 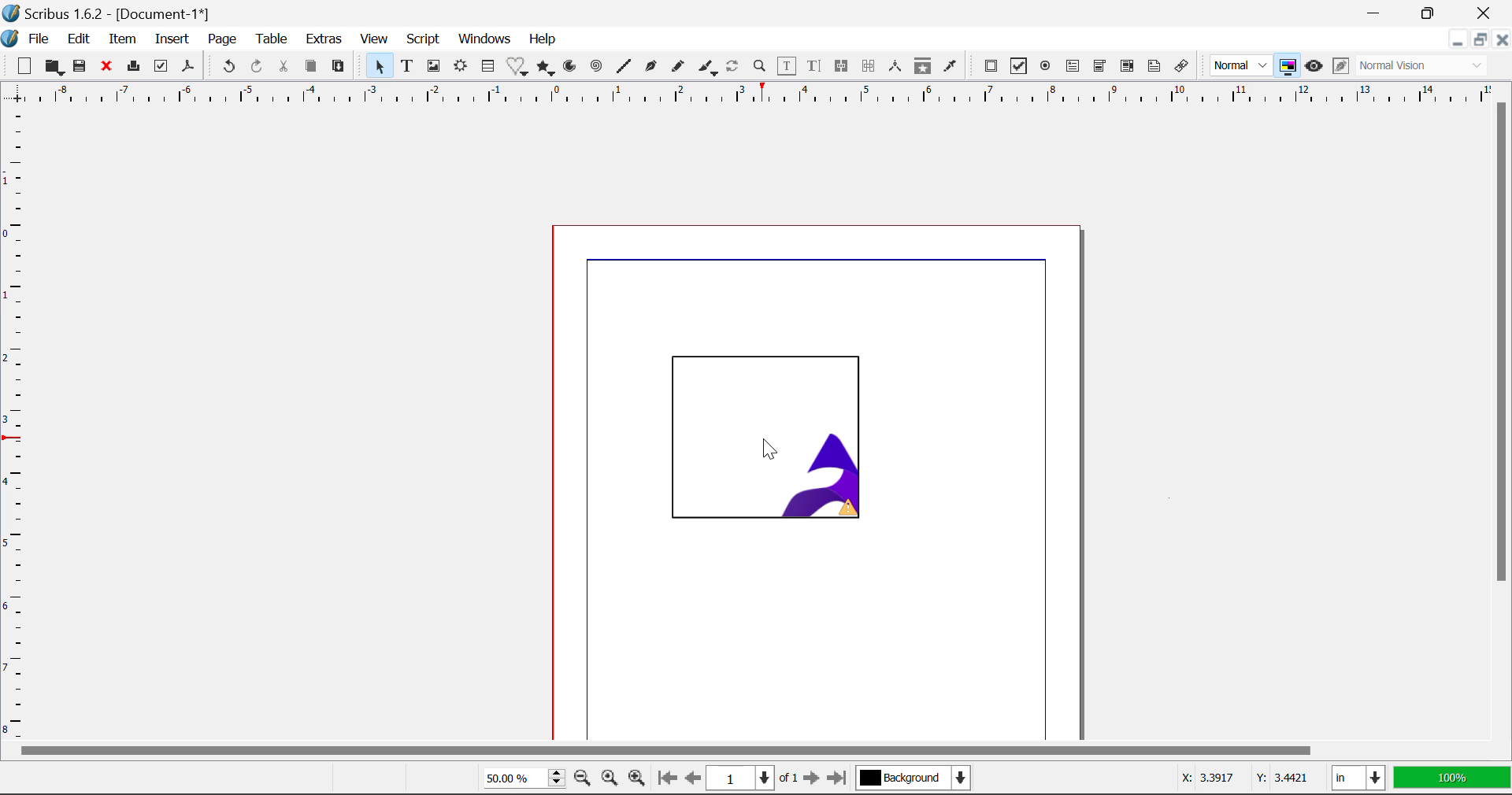 I want to click on New, so click(x=24, y=65).